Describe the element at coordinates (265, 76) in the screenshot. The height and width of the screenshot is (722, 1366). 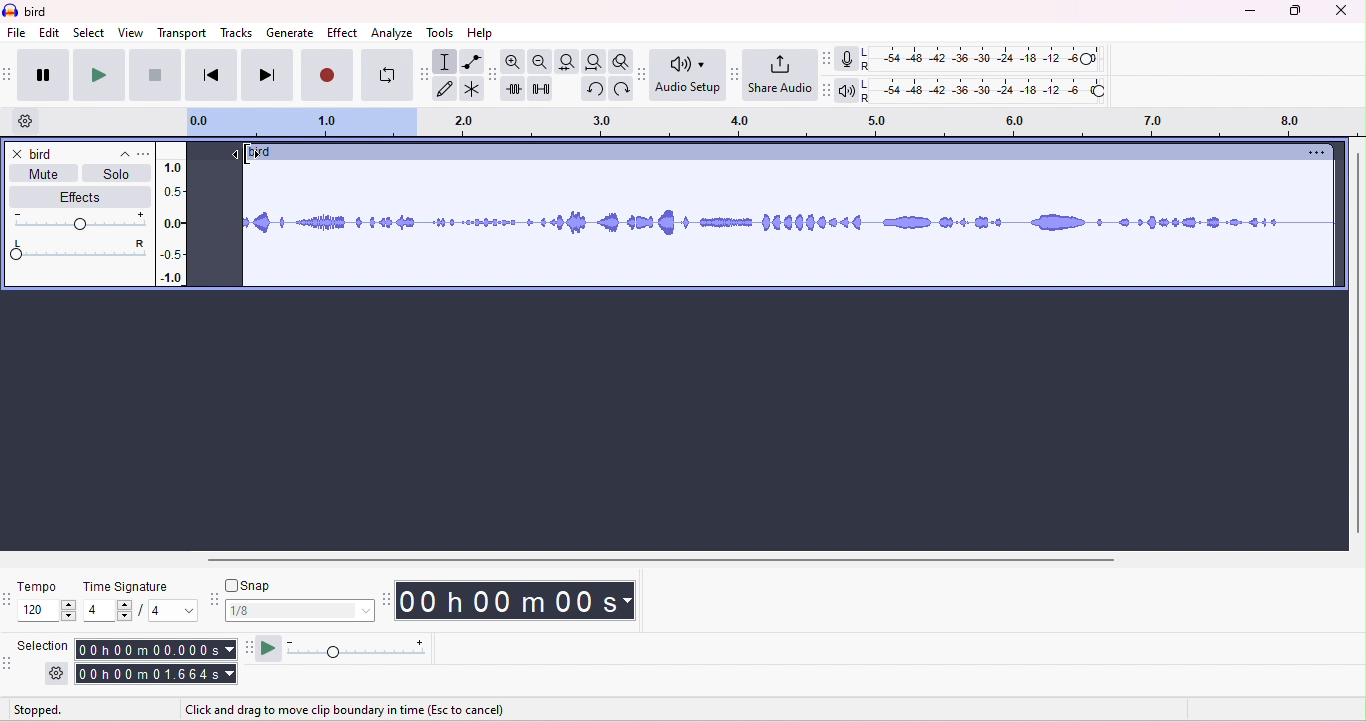
I see `next` at that location.